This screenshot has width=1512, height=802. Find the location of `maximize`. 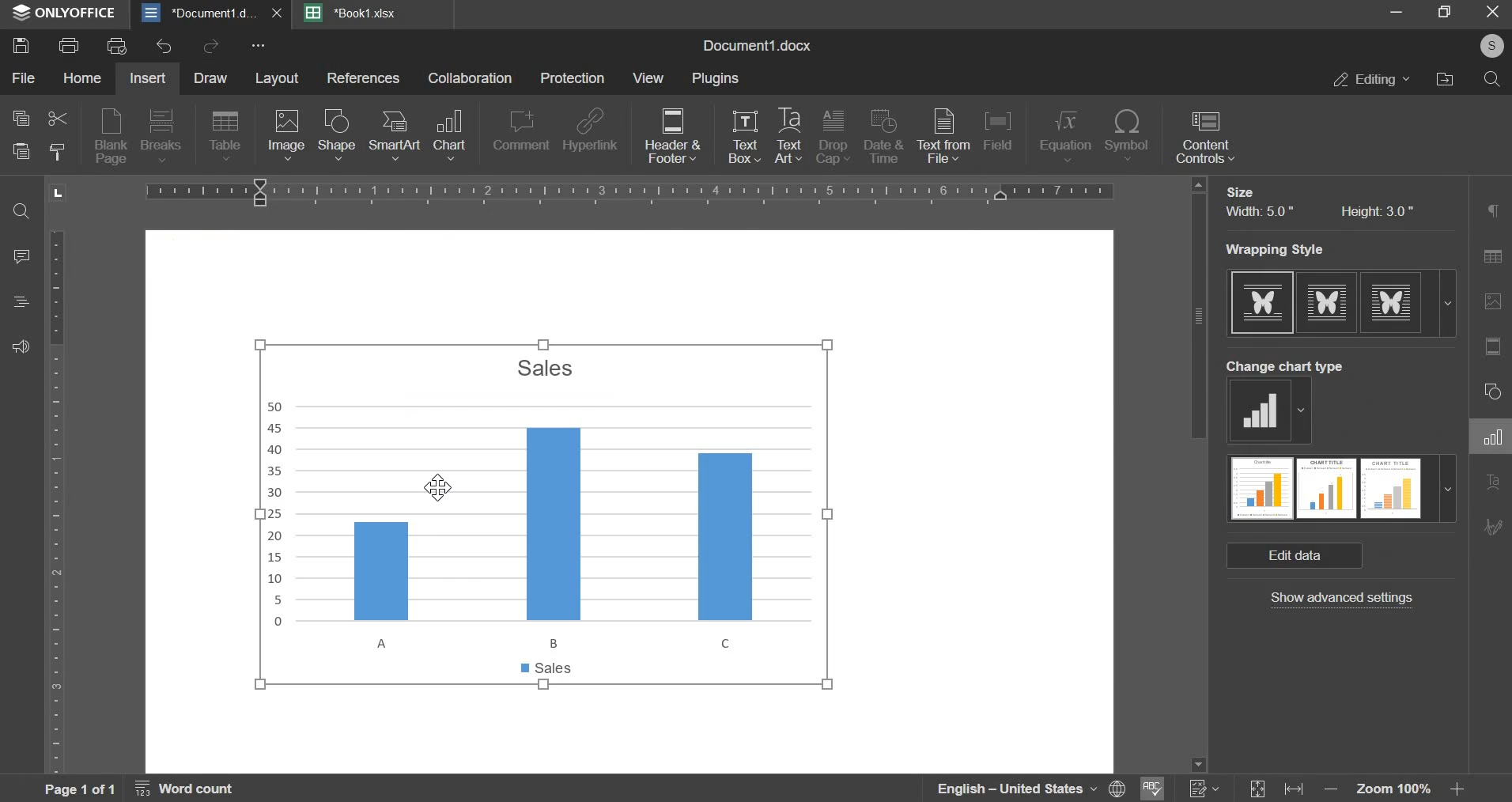

maximize is located at coordinates (1445, 16).